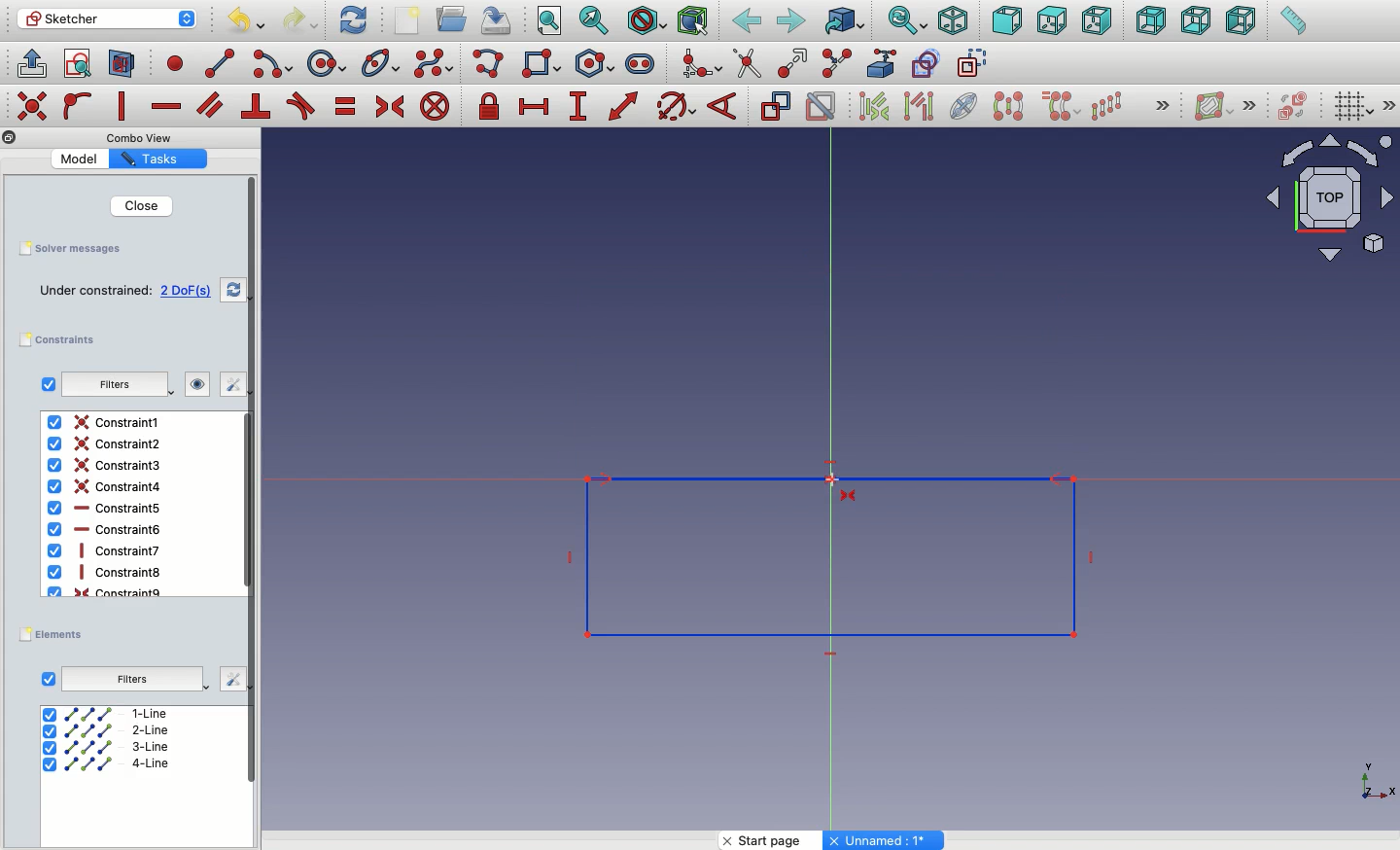 Image resolution: width=1400 pixels, height=850 pixels. What do you see at coordinates (973, 62) in the screenshot?
I see `Toggle construction geometry` at bounding box center [973, 62].